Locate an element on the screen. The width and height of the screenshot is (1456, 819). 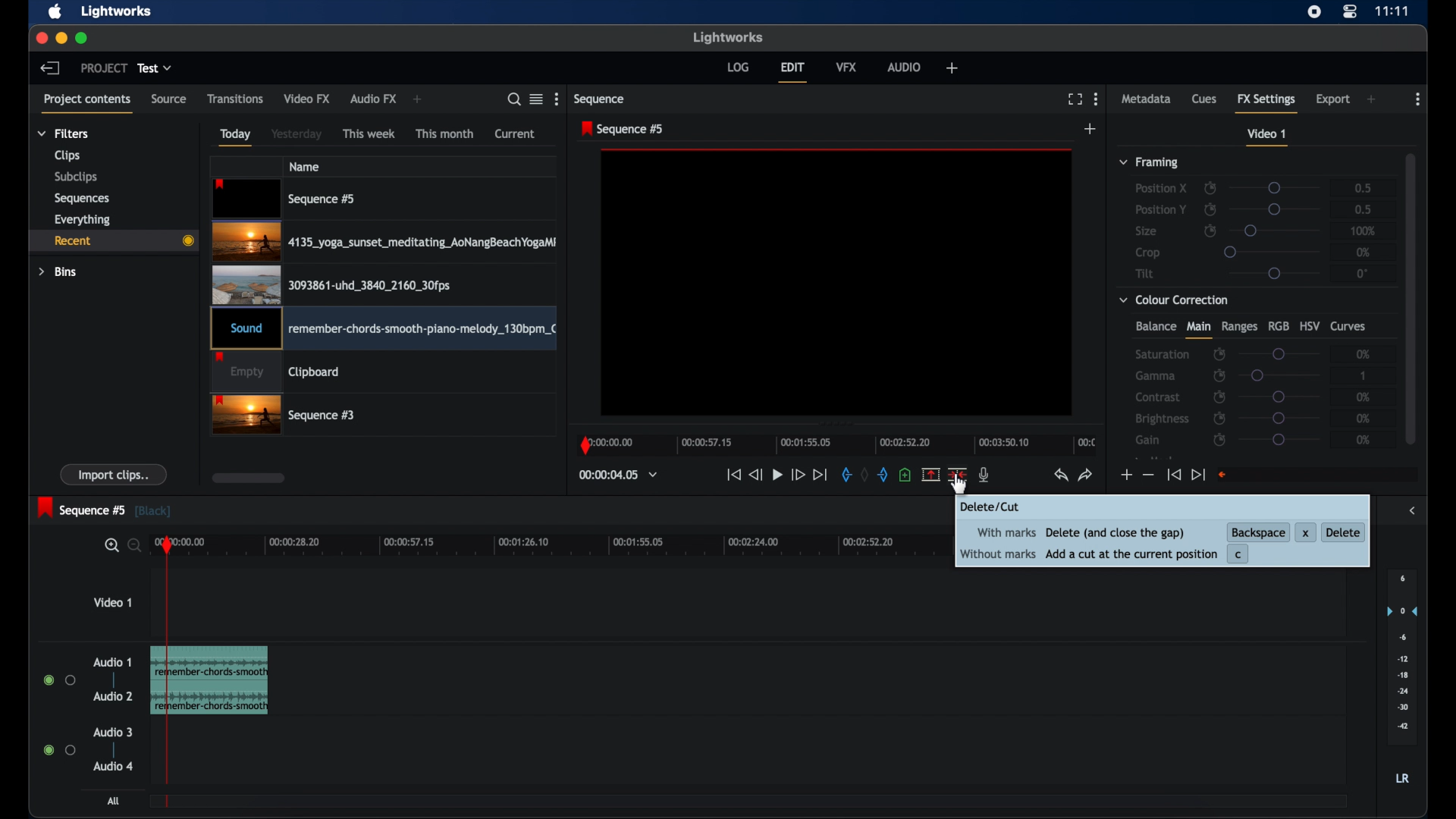
sequence is located at coordinates (600, 99).